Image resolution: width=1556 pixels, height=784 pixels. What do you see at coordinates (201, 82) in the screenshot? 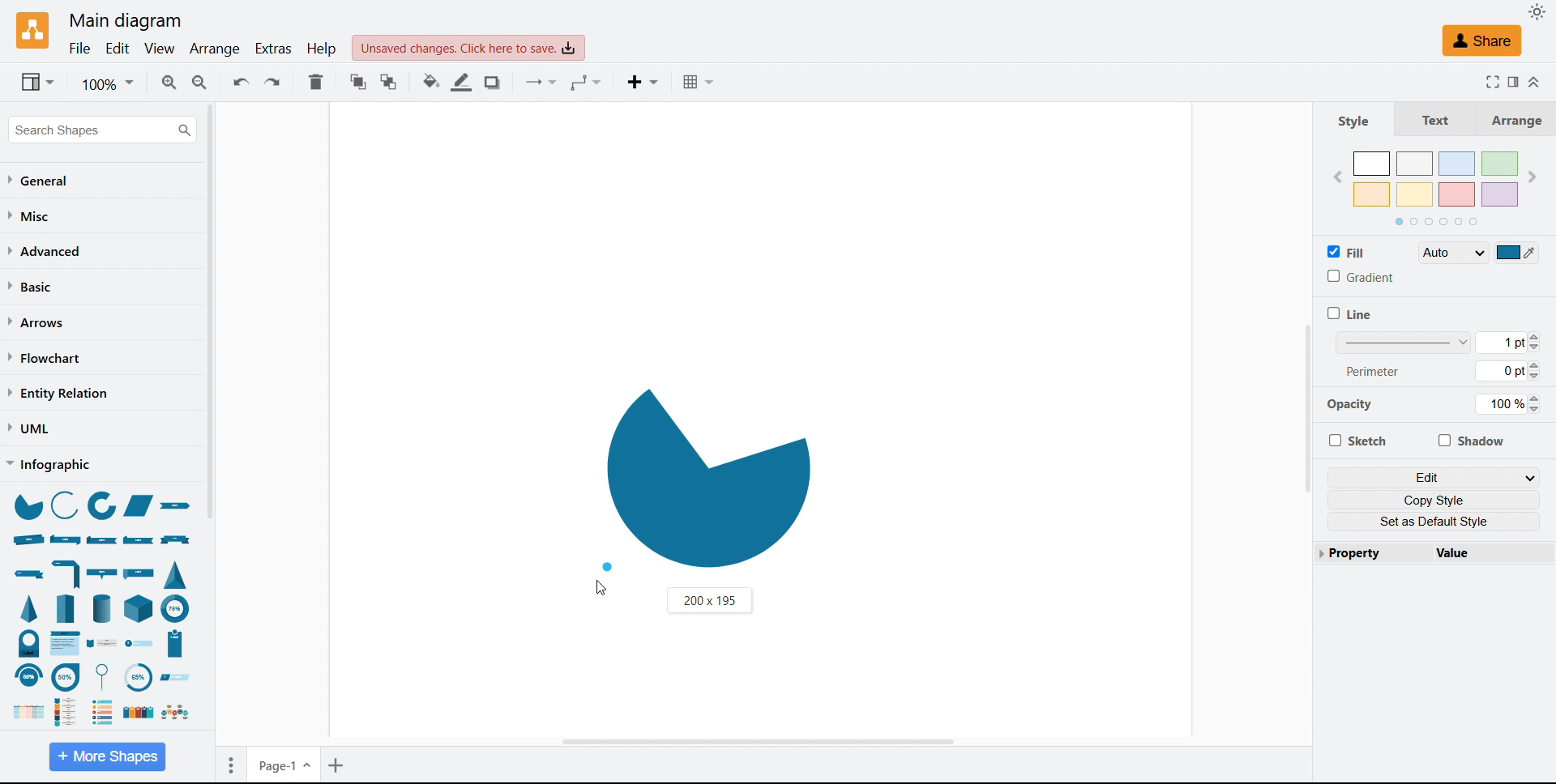
I see `Zoom out ` at bounding box center [201, 82].